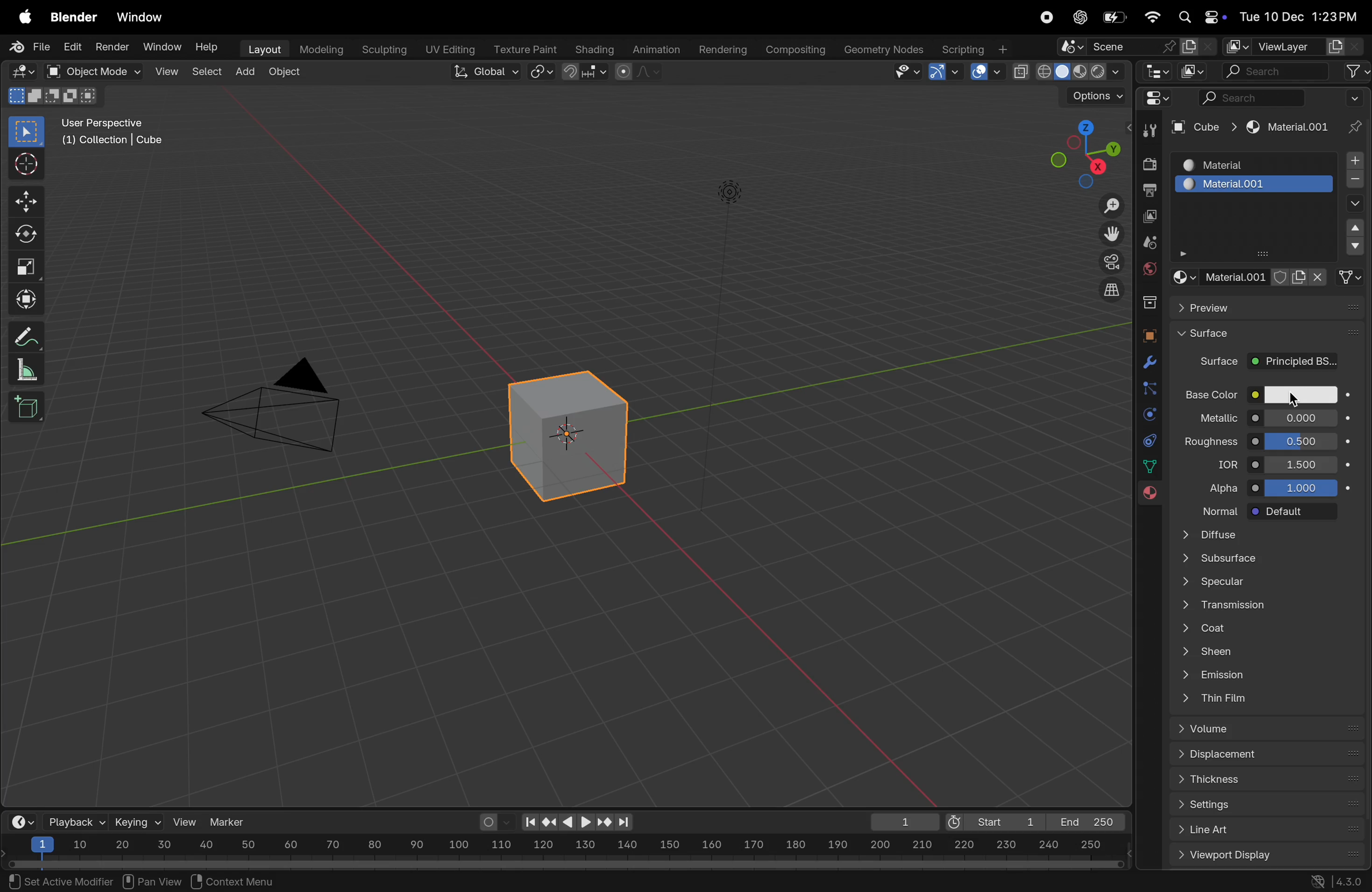 The image size is (1372, 892). I want to click on apple widgets, so click(1199, 17).